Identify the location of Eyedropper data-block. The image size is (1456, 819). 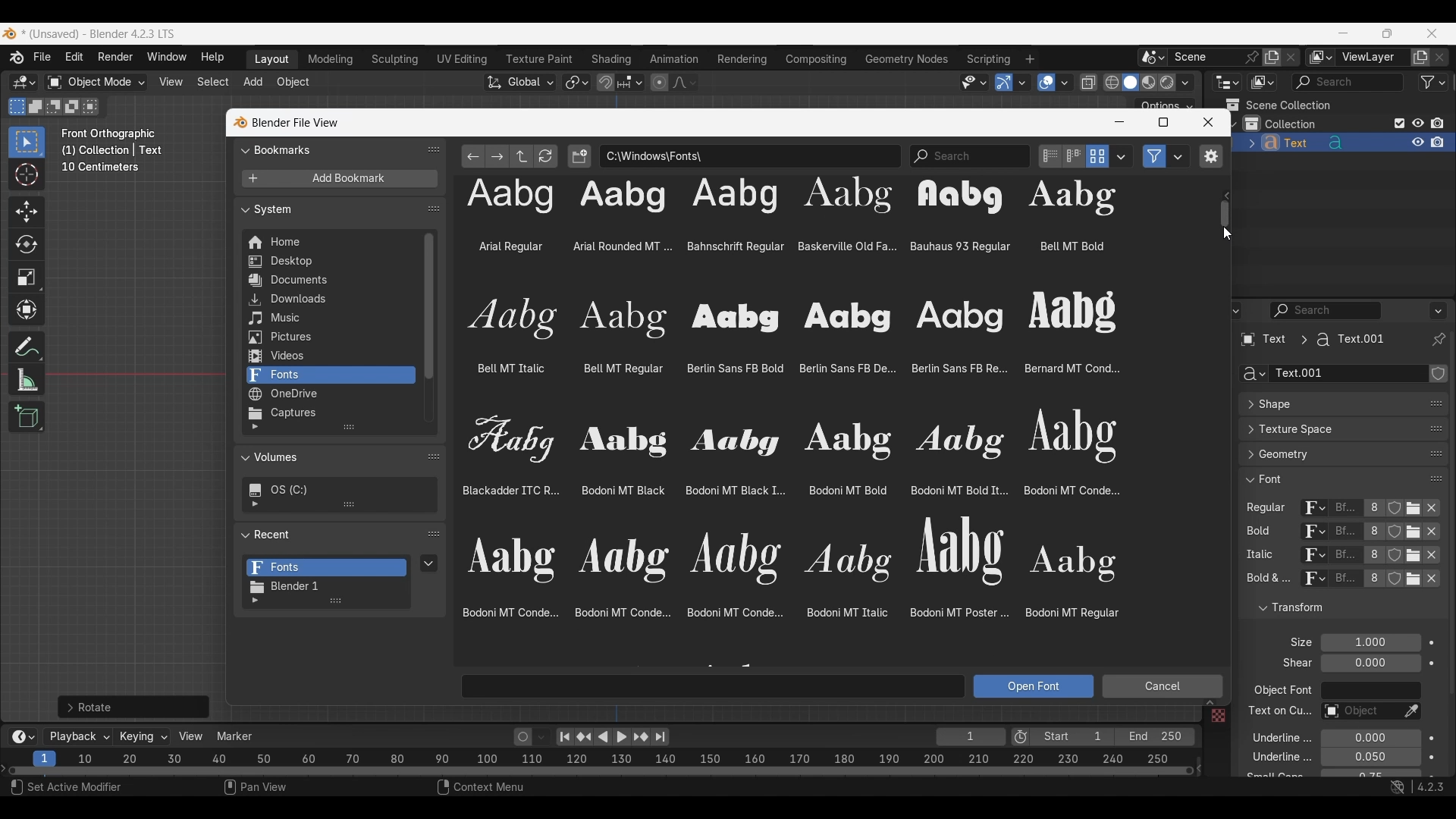
(1429, 399).